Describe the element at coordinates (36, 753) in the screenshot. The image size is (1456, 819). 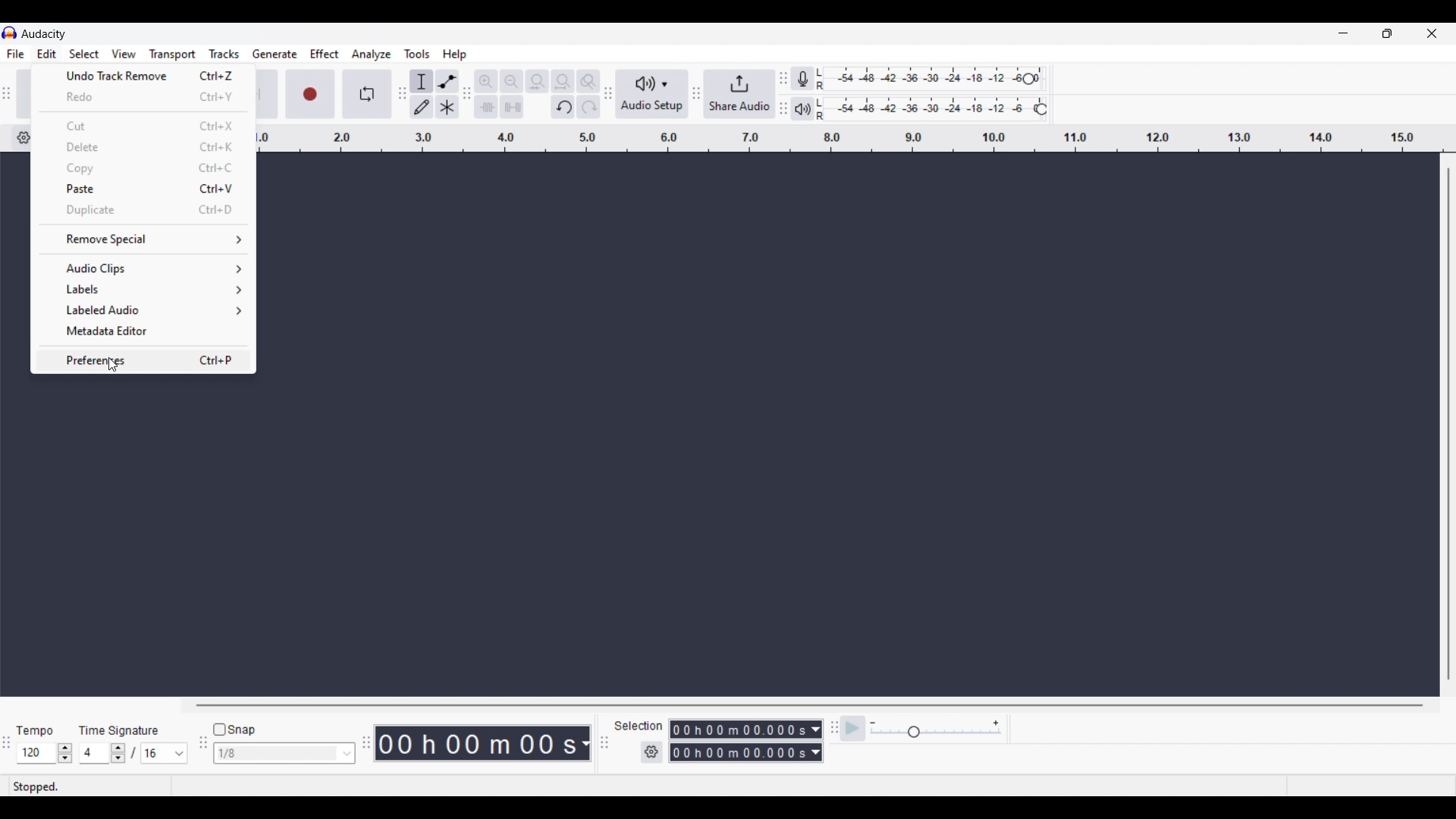
I see `Selected tempo` at that location.